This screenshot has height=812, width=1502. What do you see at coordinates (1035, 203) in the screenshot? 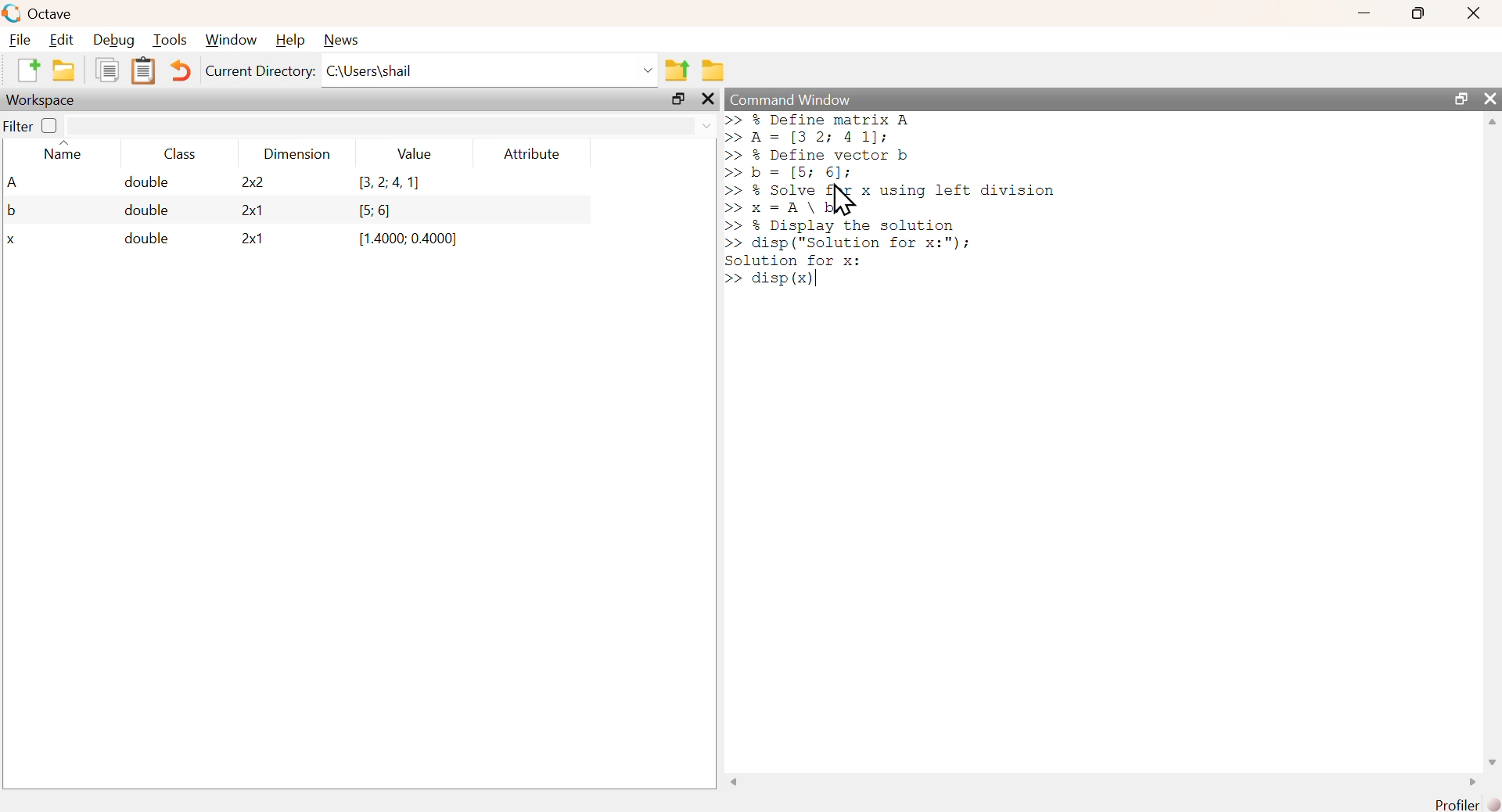
I see `command` at bounding box center [1035, 203].